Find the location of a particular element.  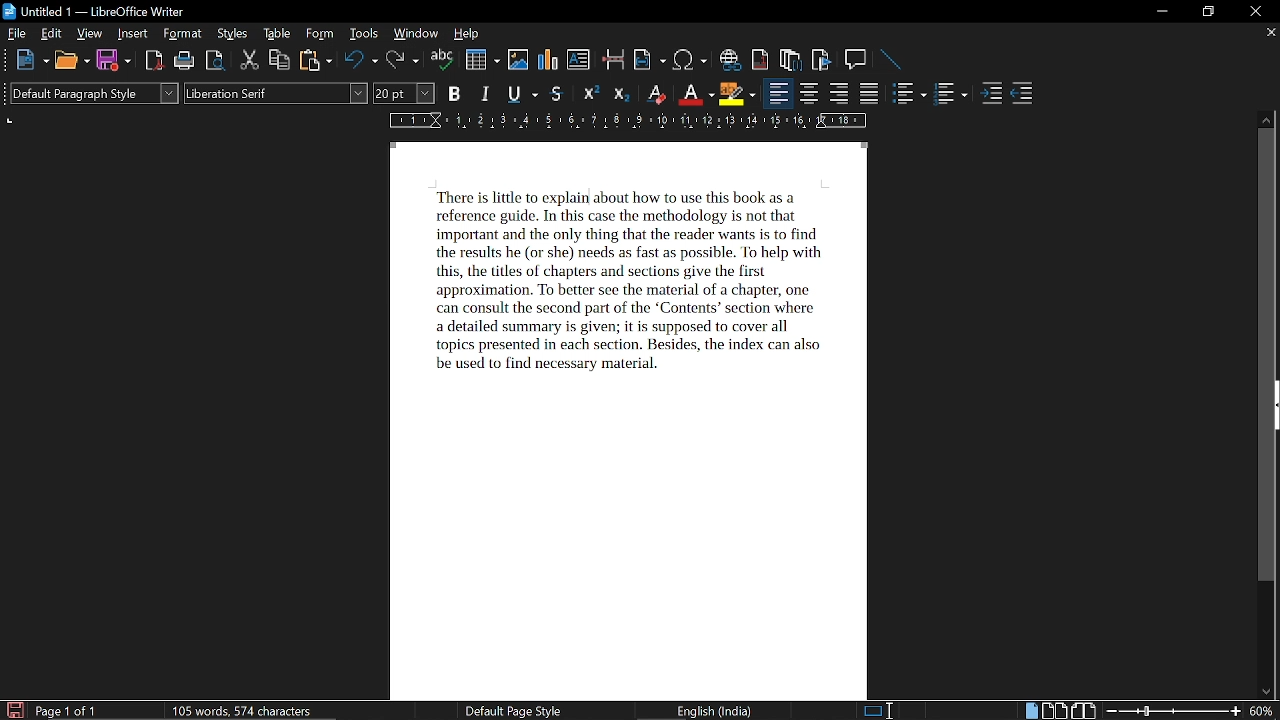

move up is located at coordinates (1268, 119).